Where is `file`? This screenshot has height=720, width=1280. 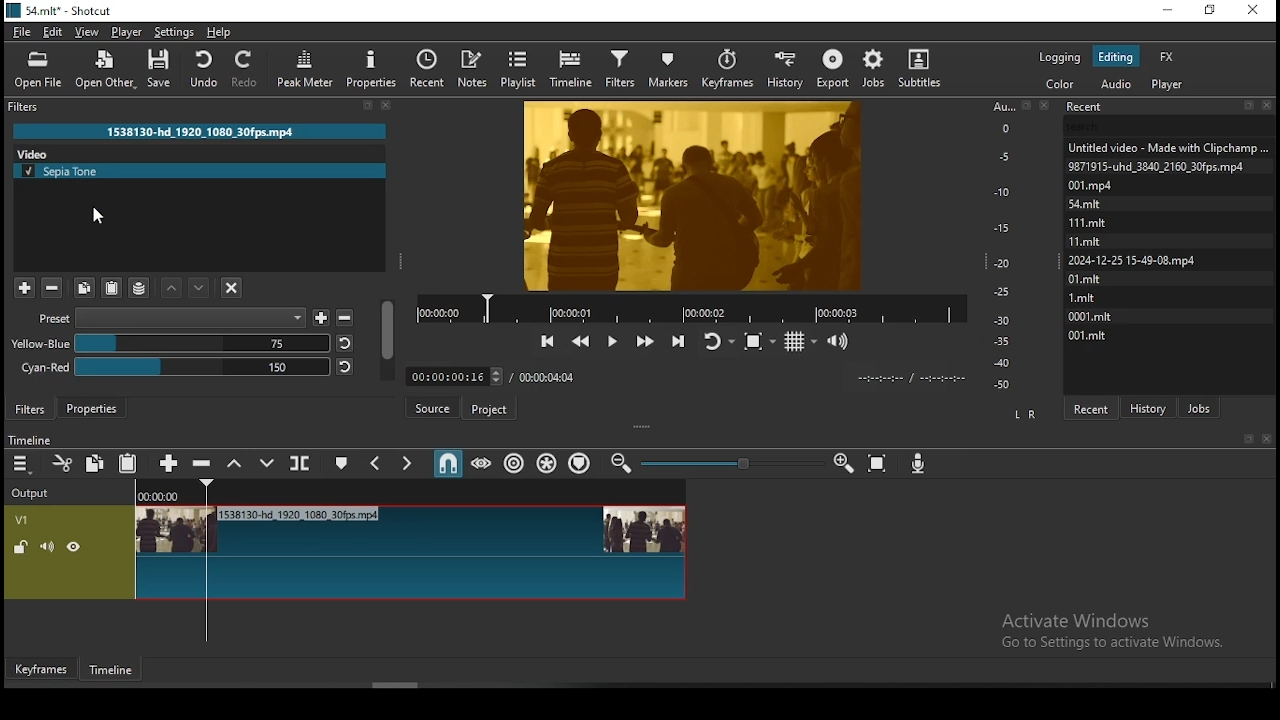 file is located at coordinates (22, 32).